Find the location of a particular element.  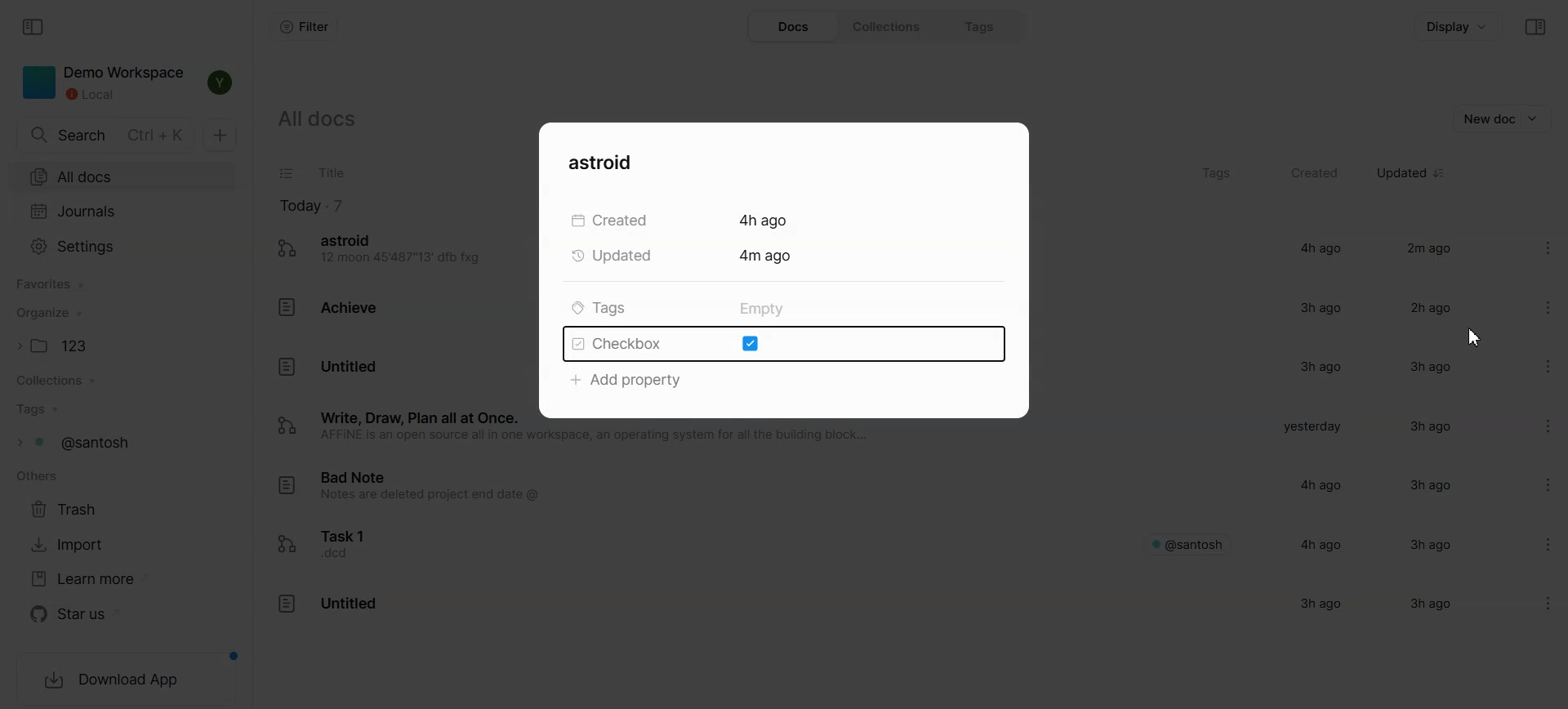

3h ago is located at coordinates (1320, 307).